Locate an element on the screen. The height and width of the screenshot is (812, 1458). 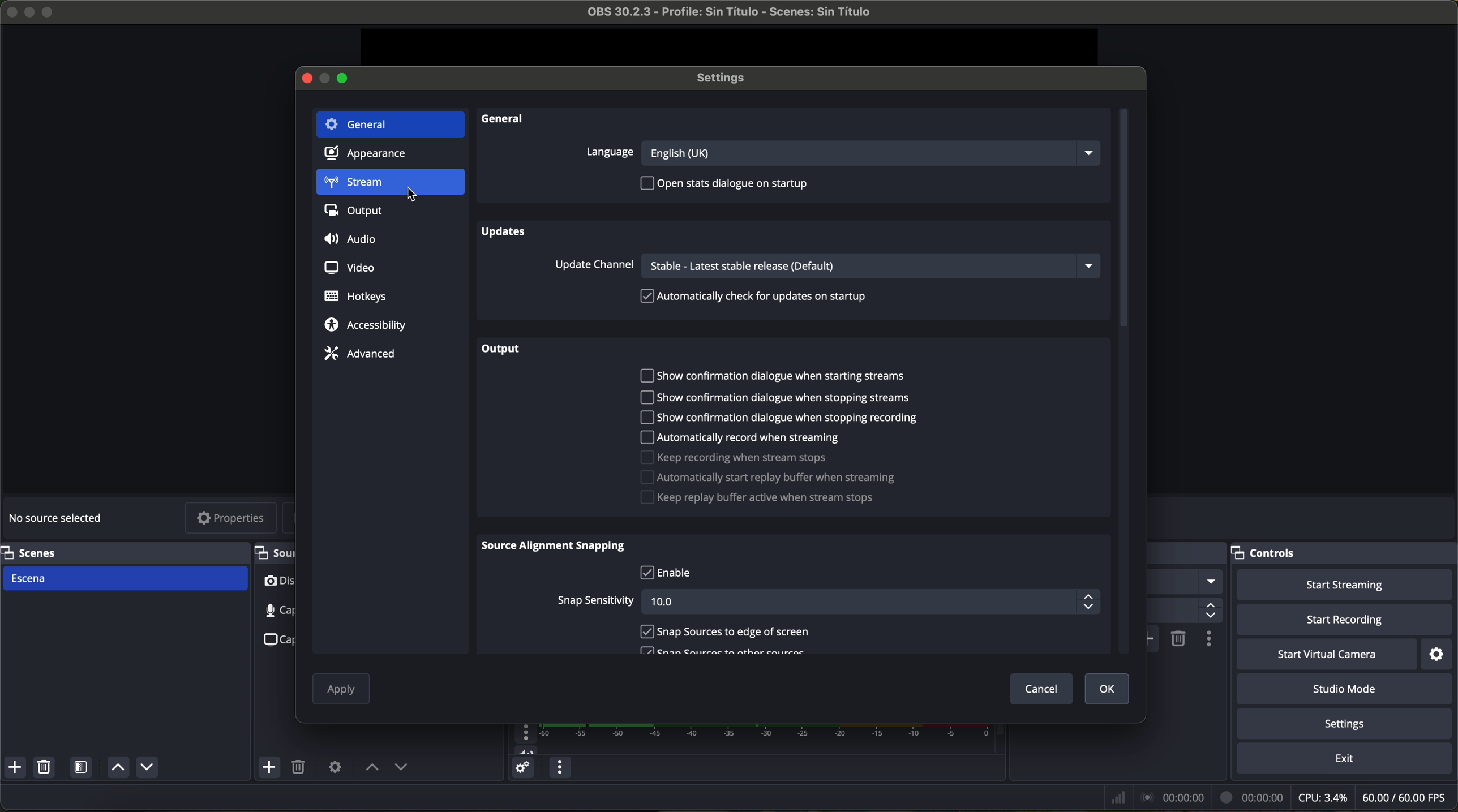
output is located at coordinates (358, 213).